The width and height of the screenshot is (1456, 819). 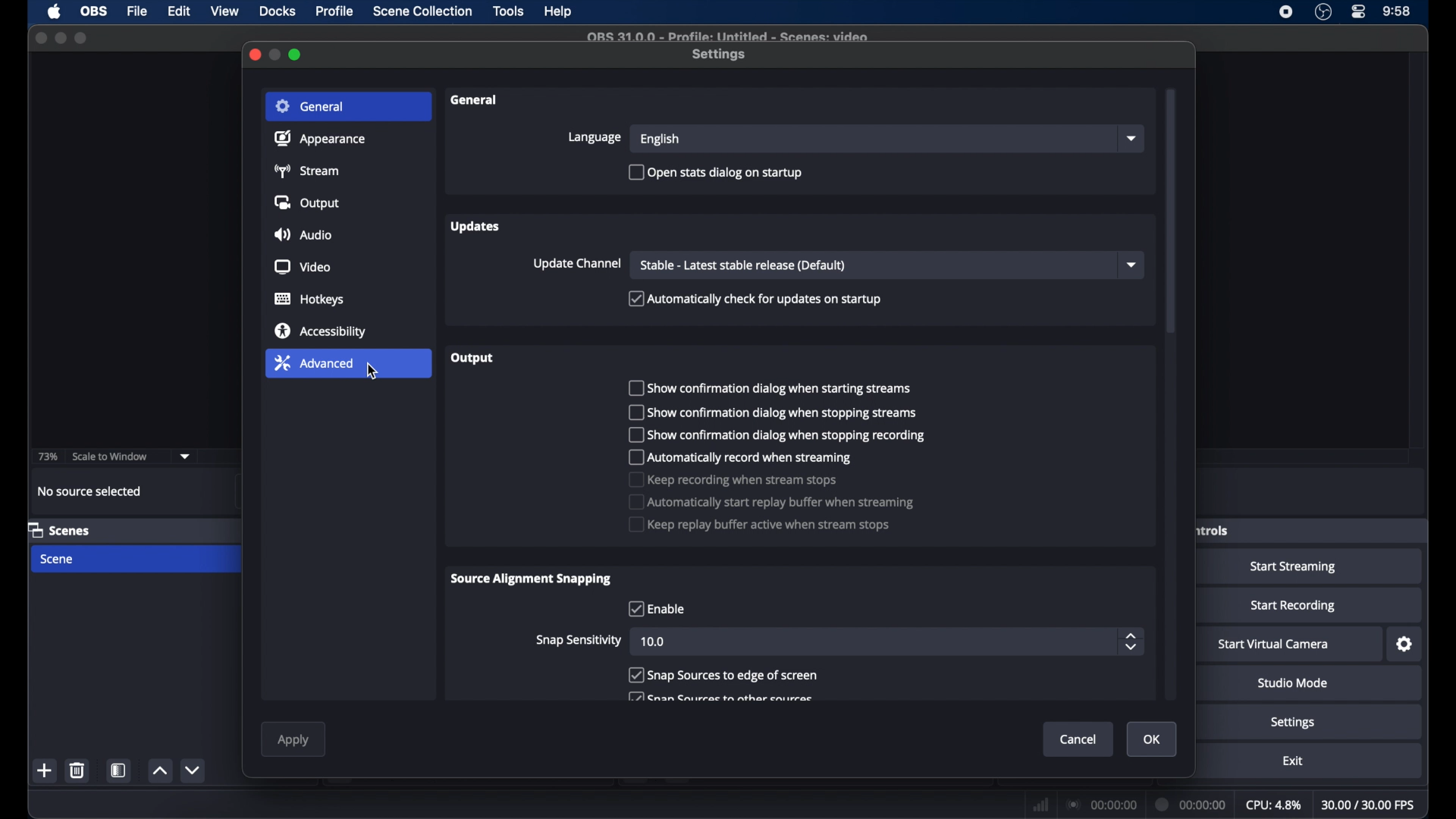 What do you see at coordinates (1103, 803) in the screenshot?
I see `connection` at bounding box center [1103, 803].